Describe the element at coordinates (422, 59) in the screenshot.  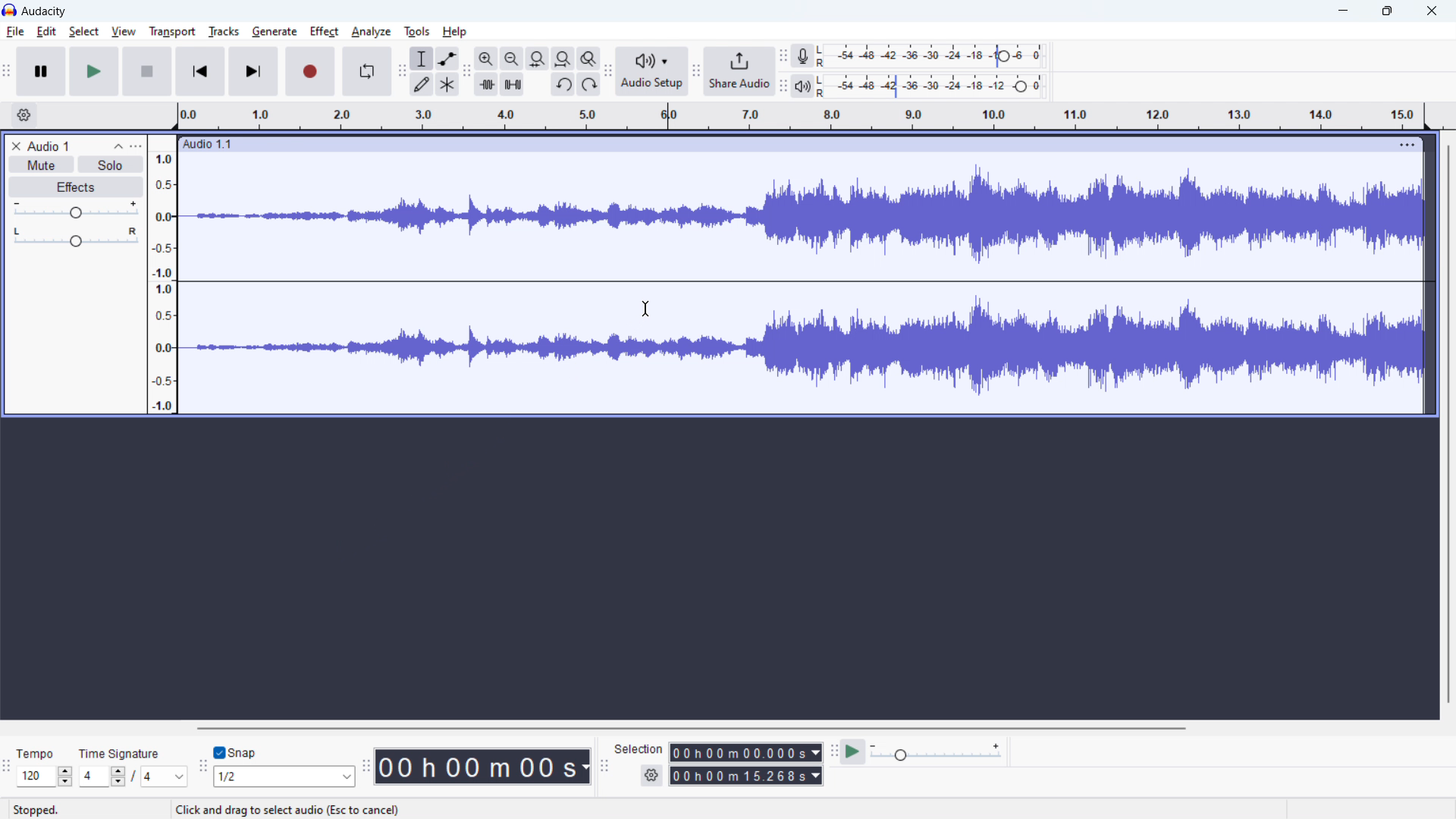
I see `selection tool` at that location.